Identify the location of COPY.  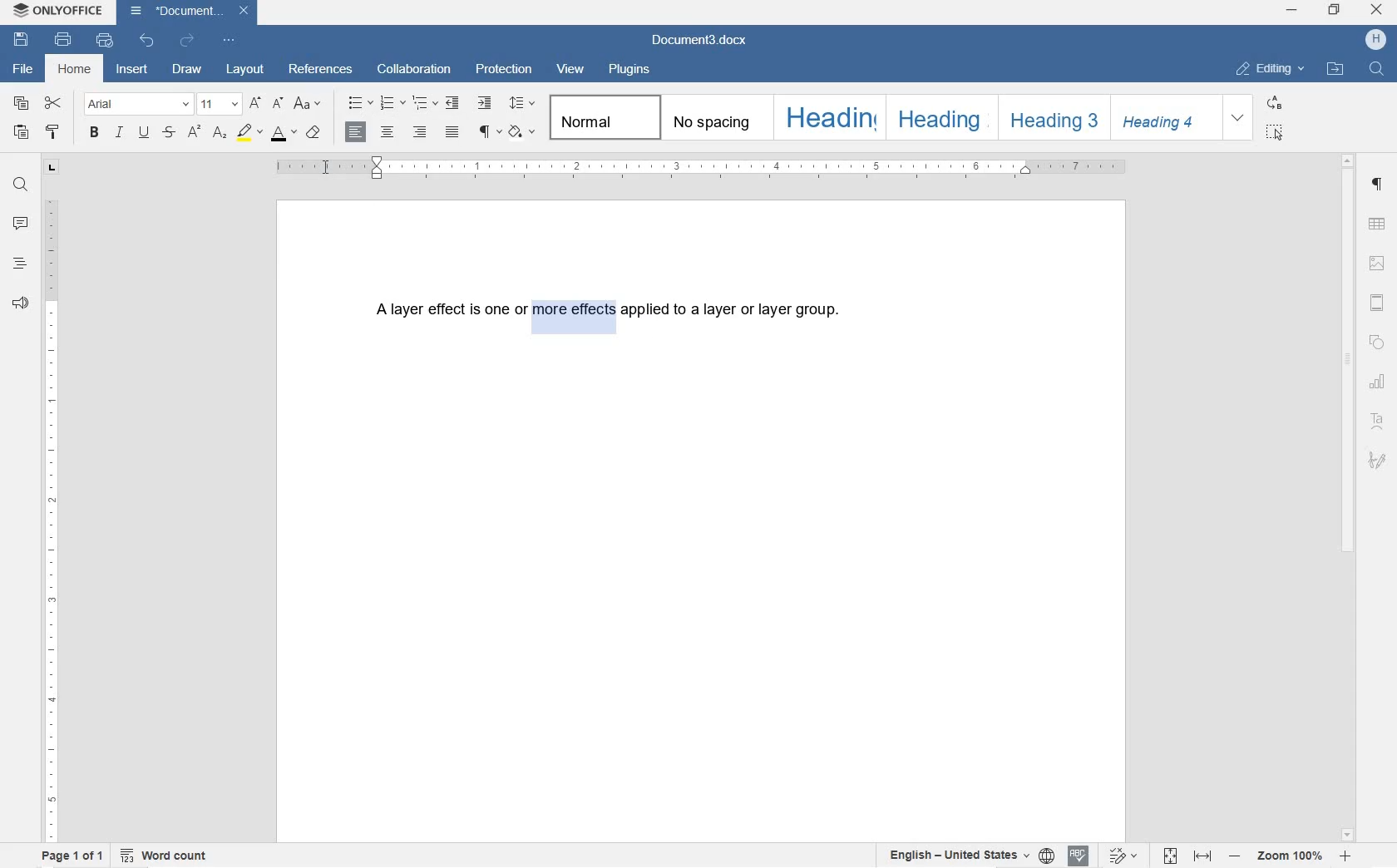
(23, 104).